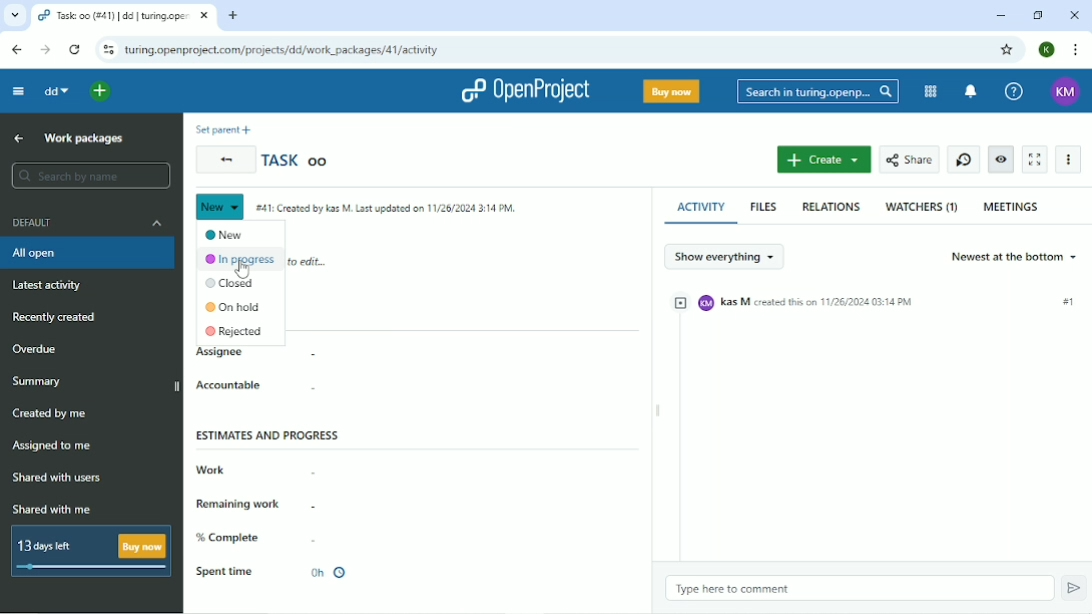 Image resolution: width=1092 pixels, height=614 pixels. I want to click on Set parent, so click(223, 128).